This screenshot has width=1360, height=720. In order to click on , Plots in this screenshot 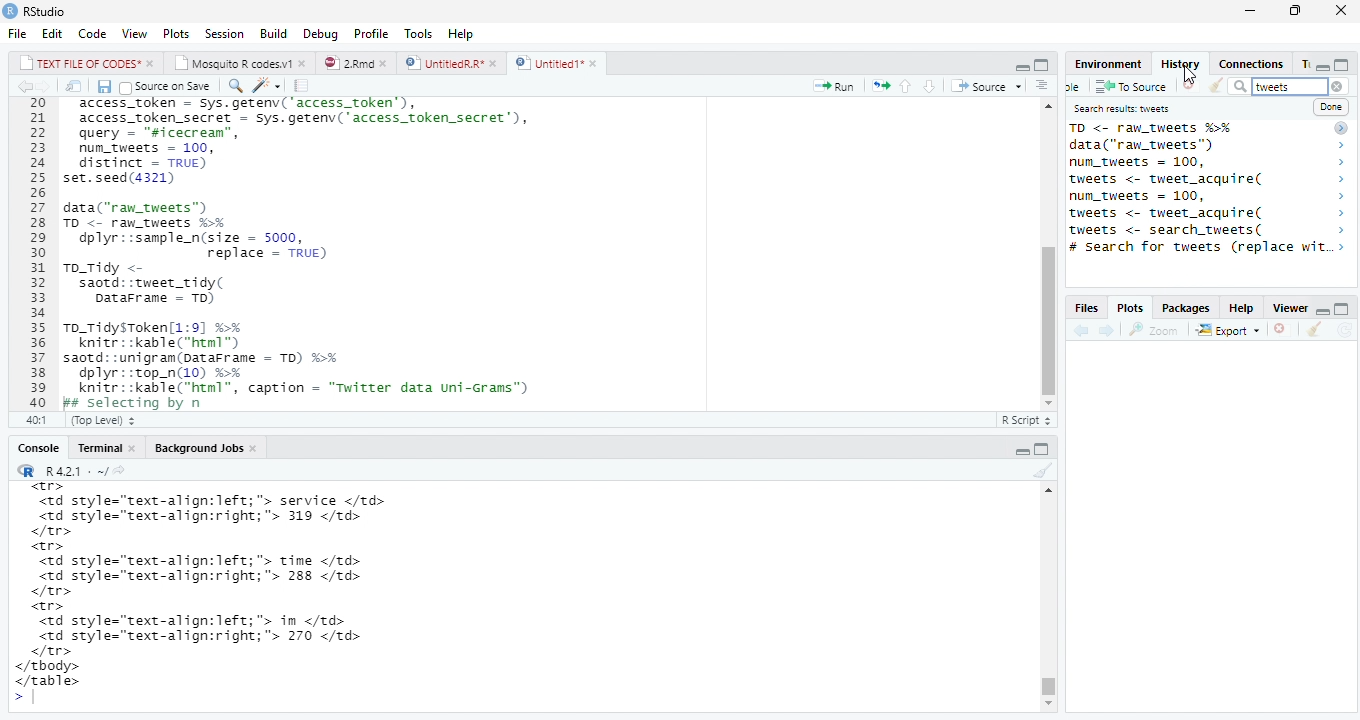, I will do `click(1130, 308)`.